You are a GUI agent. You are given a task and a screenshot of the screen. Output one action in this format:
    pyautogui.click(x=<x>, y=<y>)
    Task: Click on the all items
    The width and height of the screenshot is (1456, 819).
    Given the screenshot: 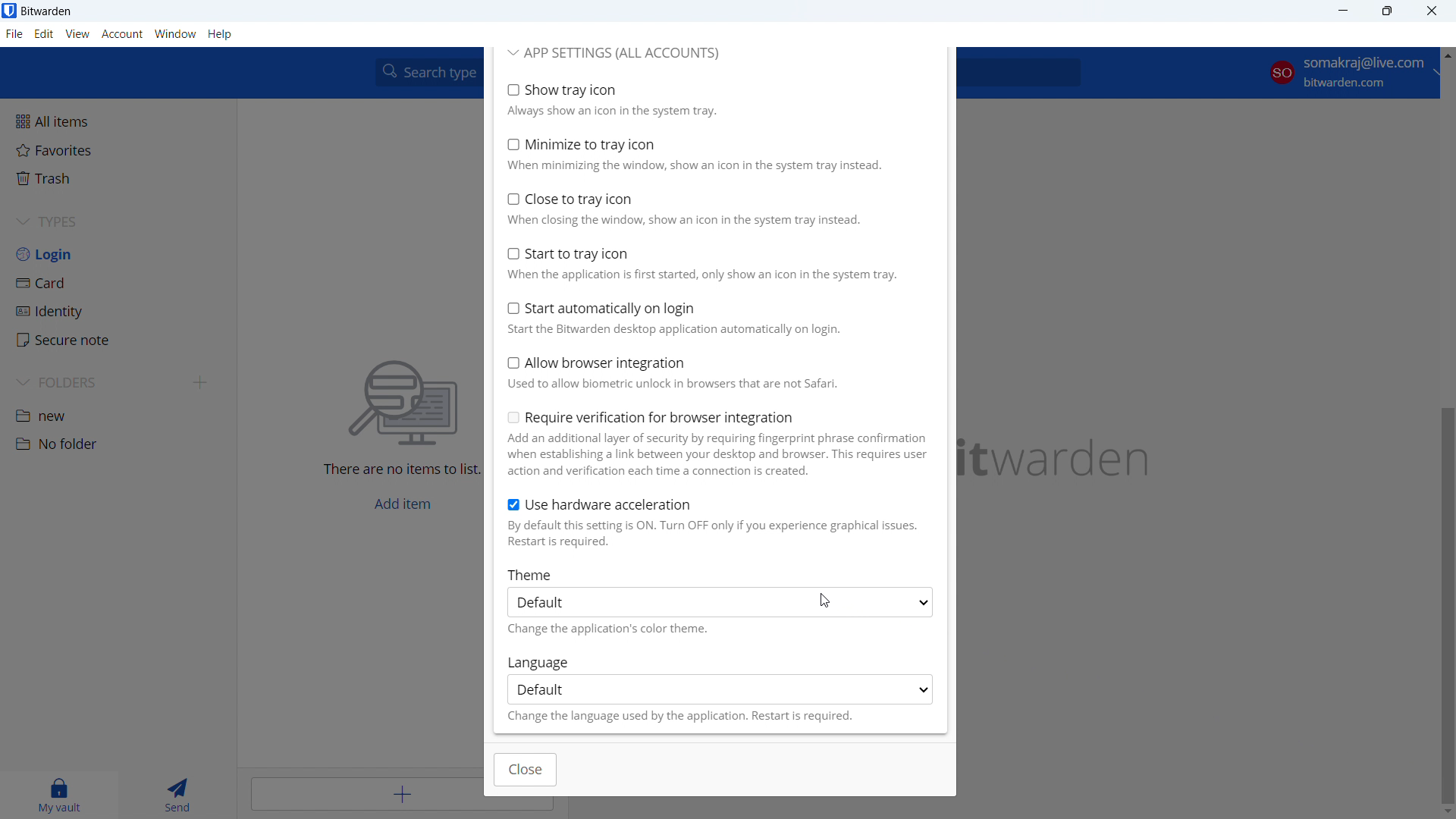 What is the action you would take?
    pyautogui.click(x=117, y=120)
    